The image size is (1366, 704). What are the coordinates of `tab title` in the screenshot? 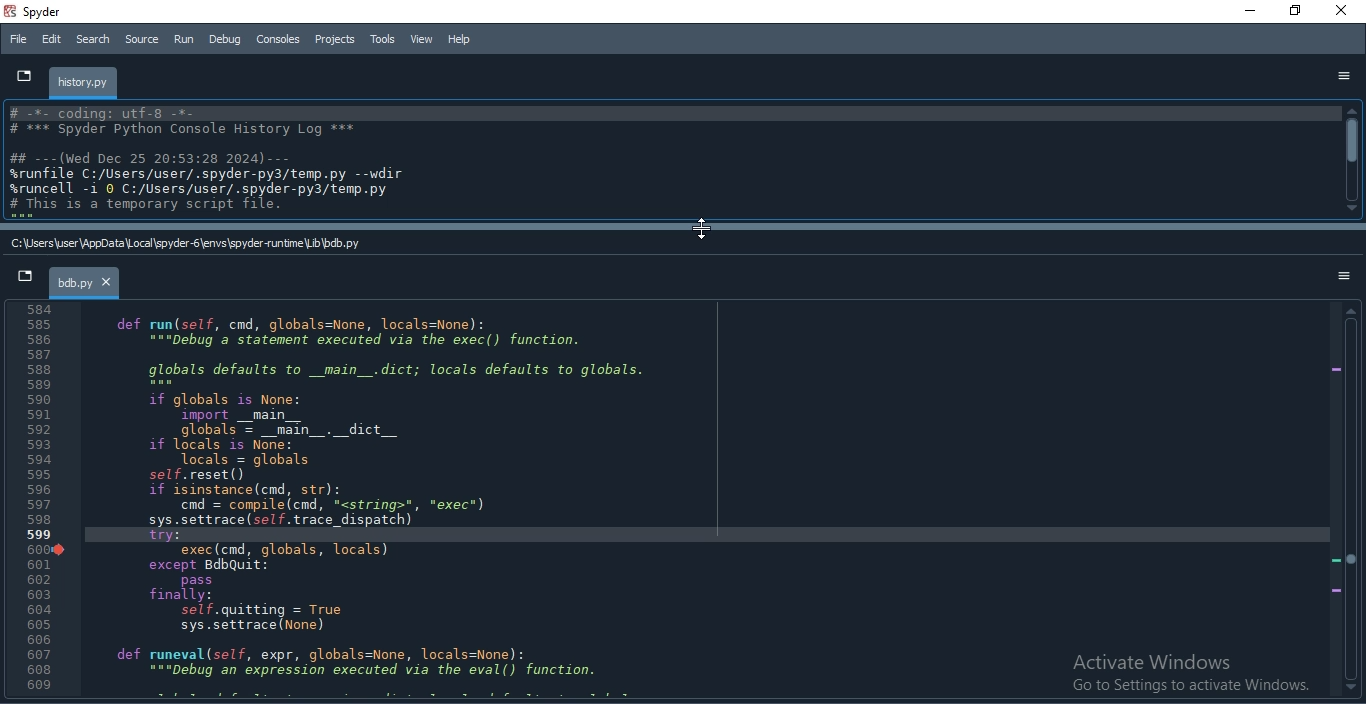 It's located at (86, 284).